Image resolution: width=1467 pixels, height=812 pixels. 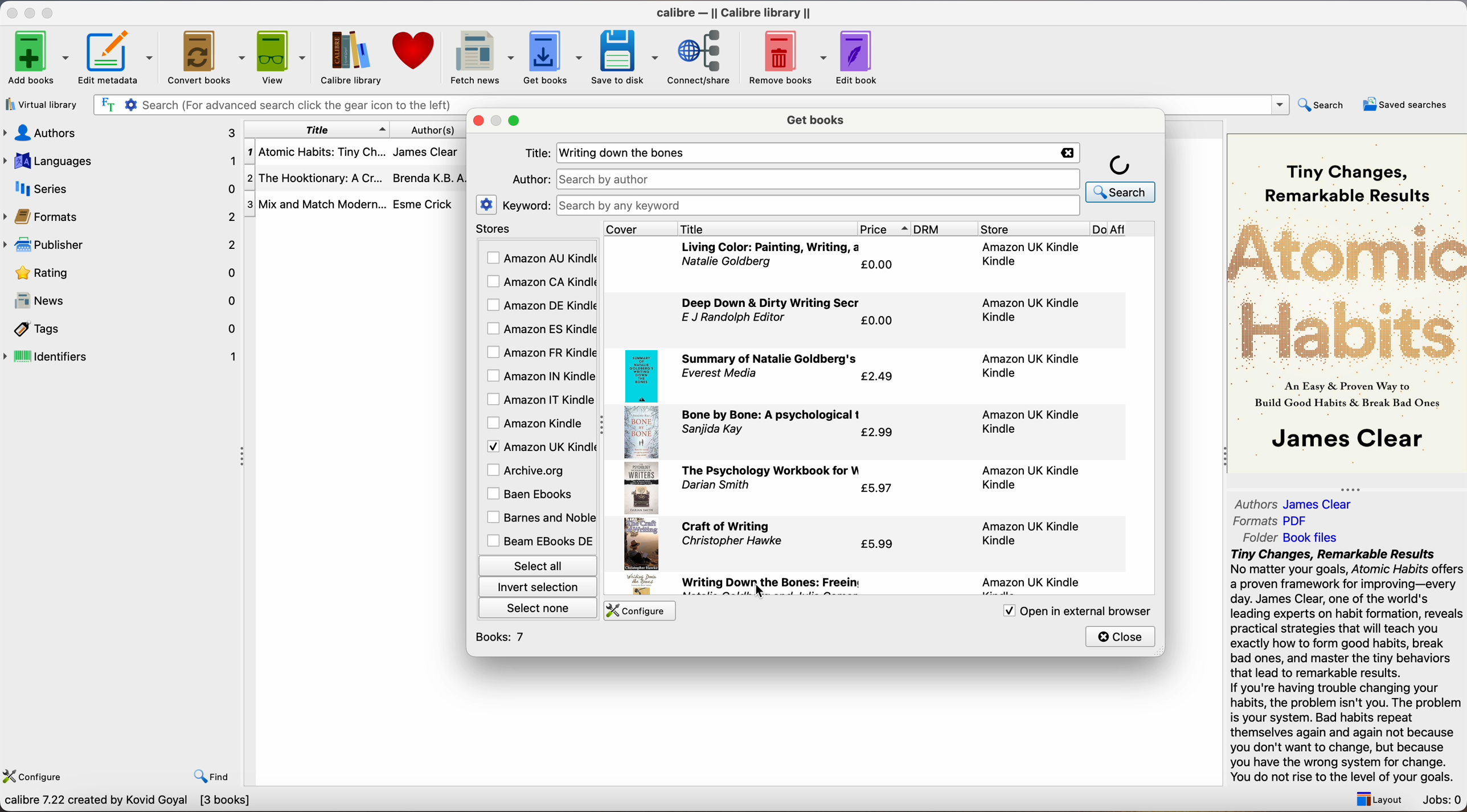 I want to click on amazon DE Kindle, so click(x=539, y=305).